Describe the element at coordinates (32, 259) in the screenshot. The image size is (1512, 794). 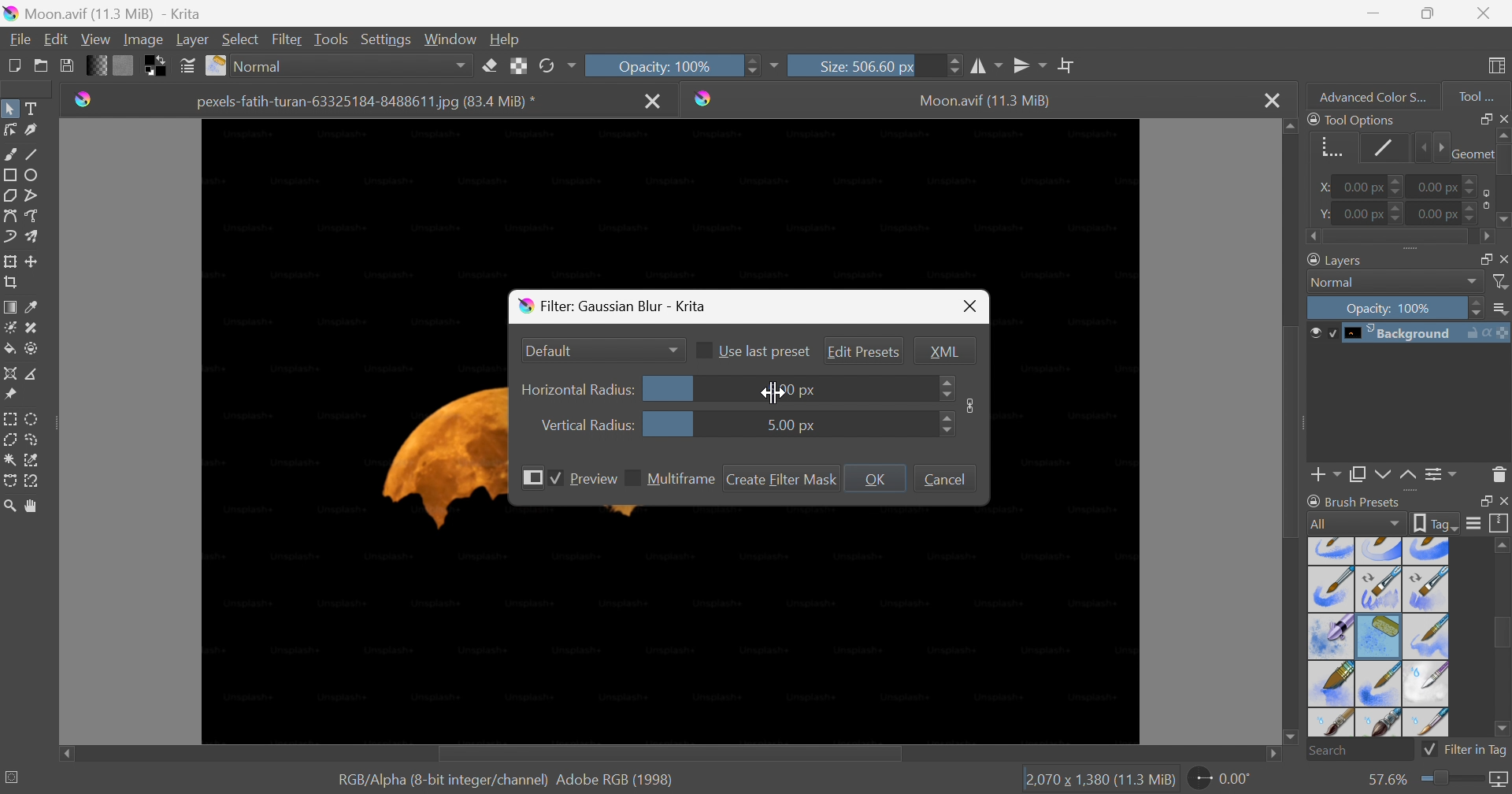
I see `Move a layer` at that location.